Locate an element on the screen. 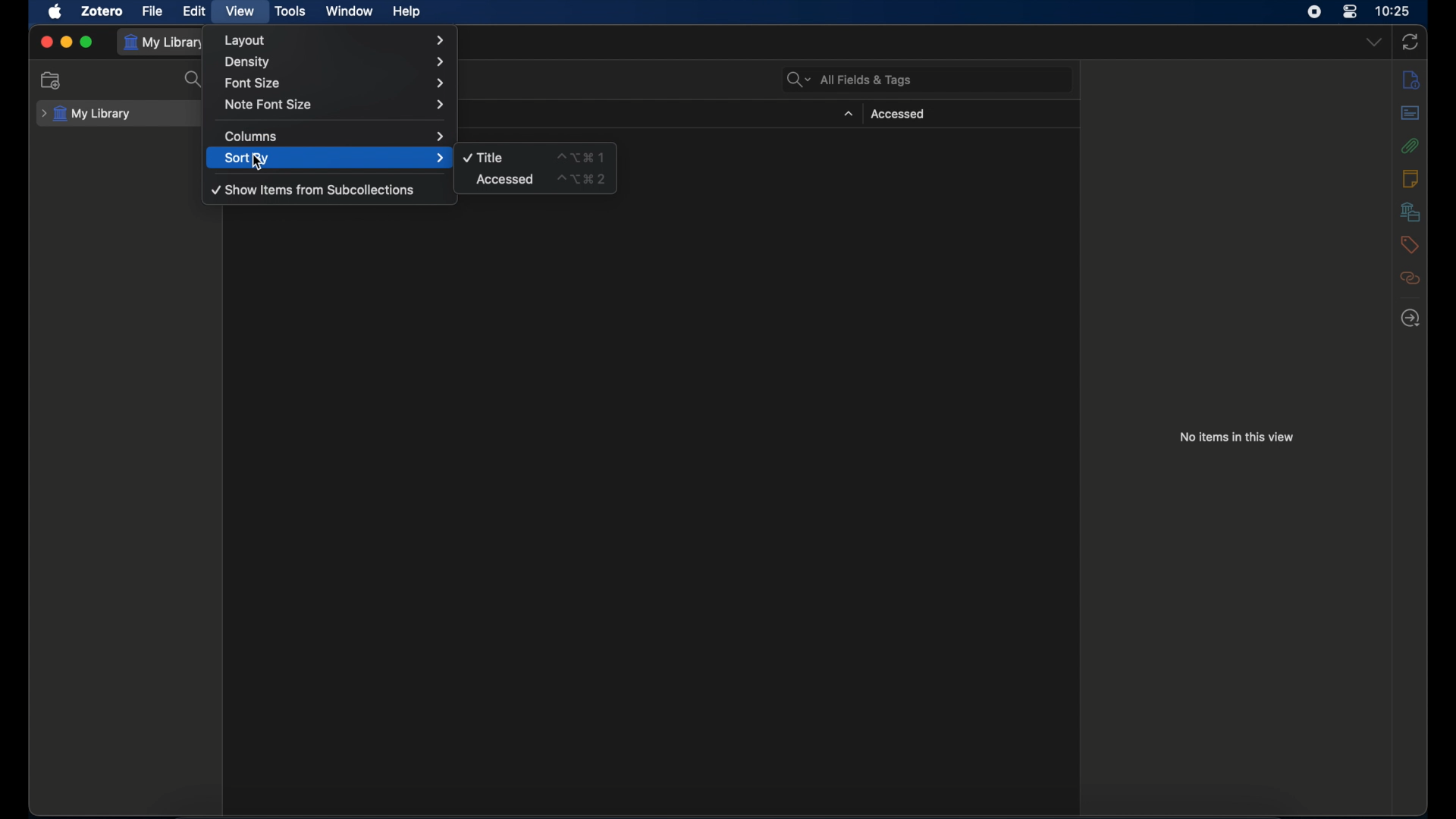 The image size is (1456, 819). columns is located at coordinates (335, 135).